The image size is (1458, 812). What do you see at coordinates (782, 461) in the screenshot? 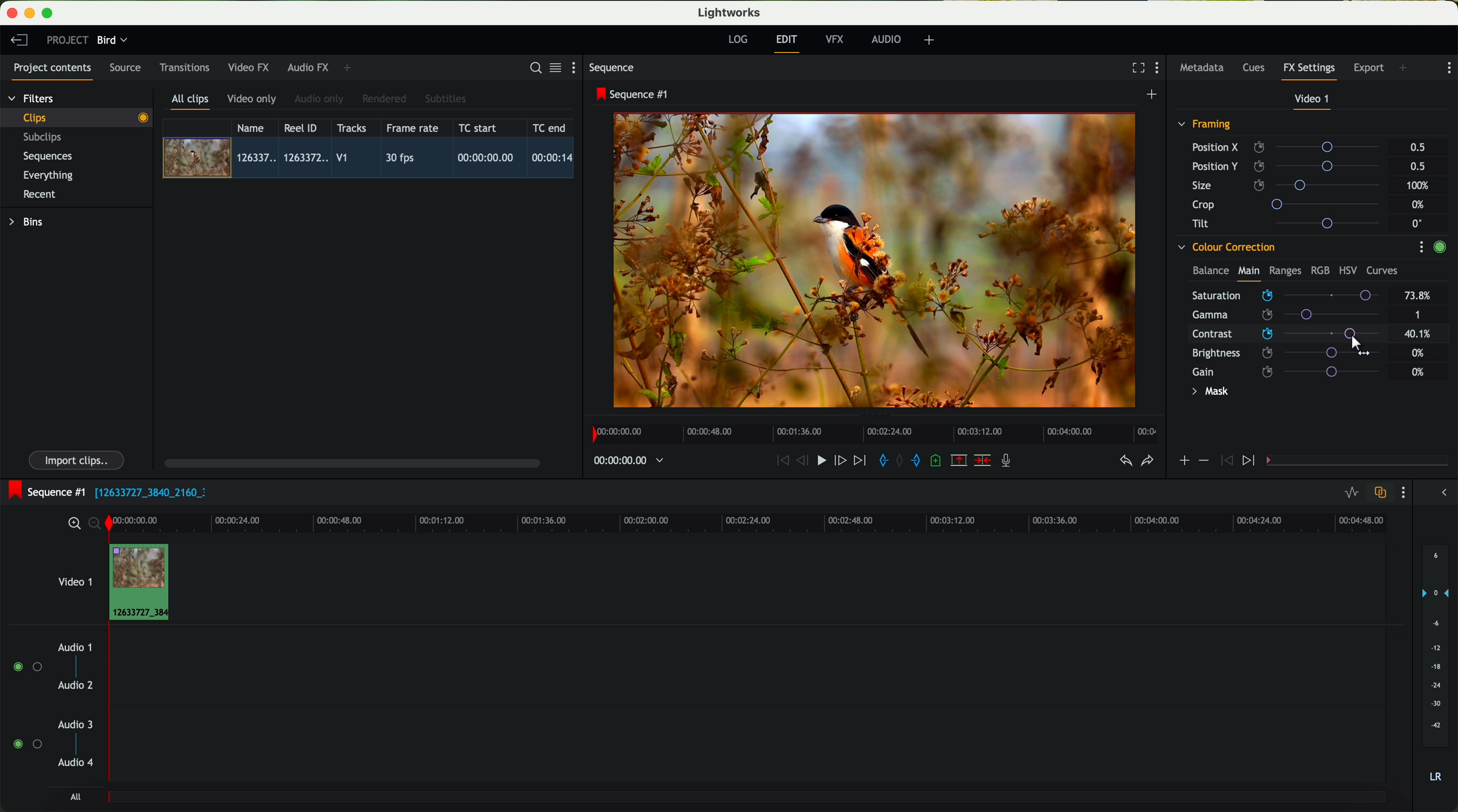
I see `rewind` at bounding box center [782, 461].